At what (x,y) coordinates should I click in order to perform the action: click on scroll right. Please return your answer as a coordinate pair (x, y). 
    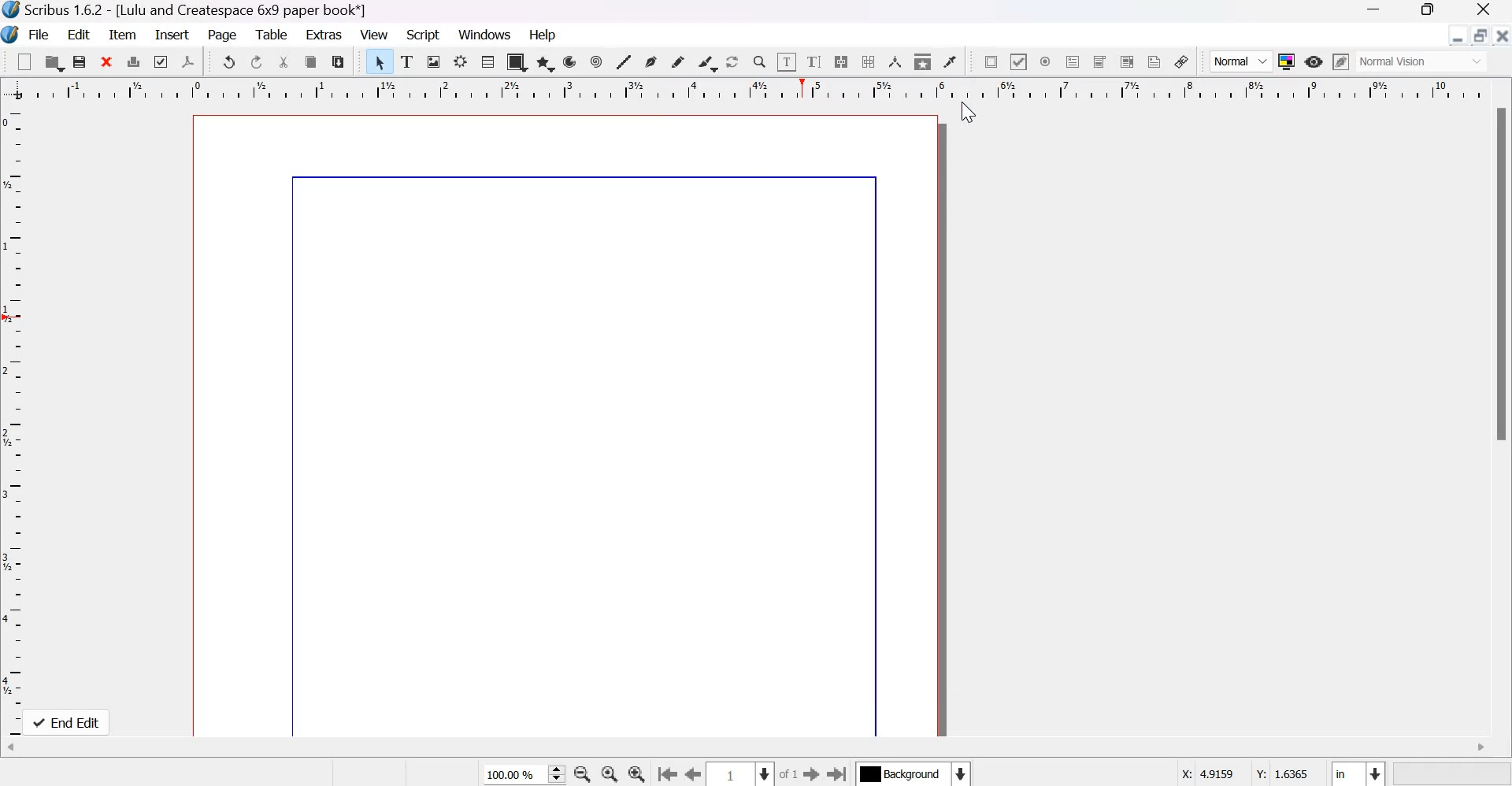
    Looking at the image, I should click on (1482, 748).